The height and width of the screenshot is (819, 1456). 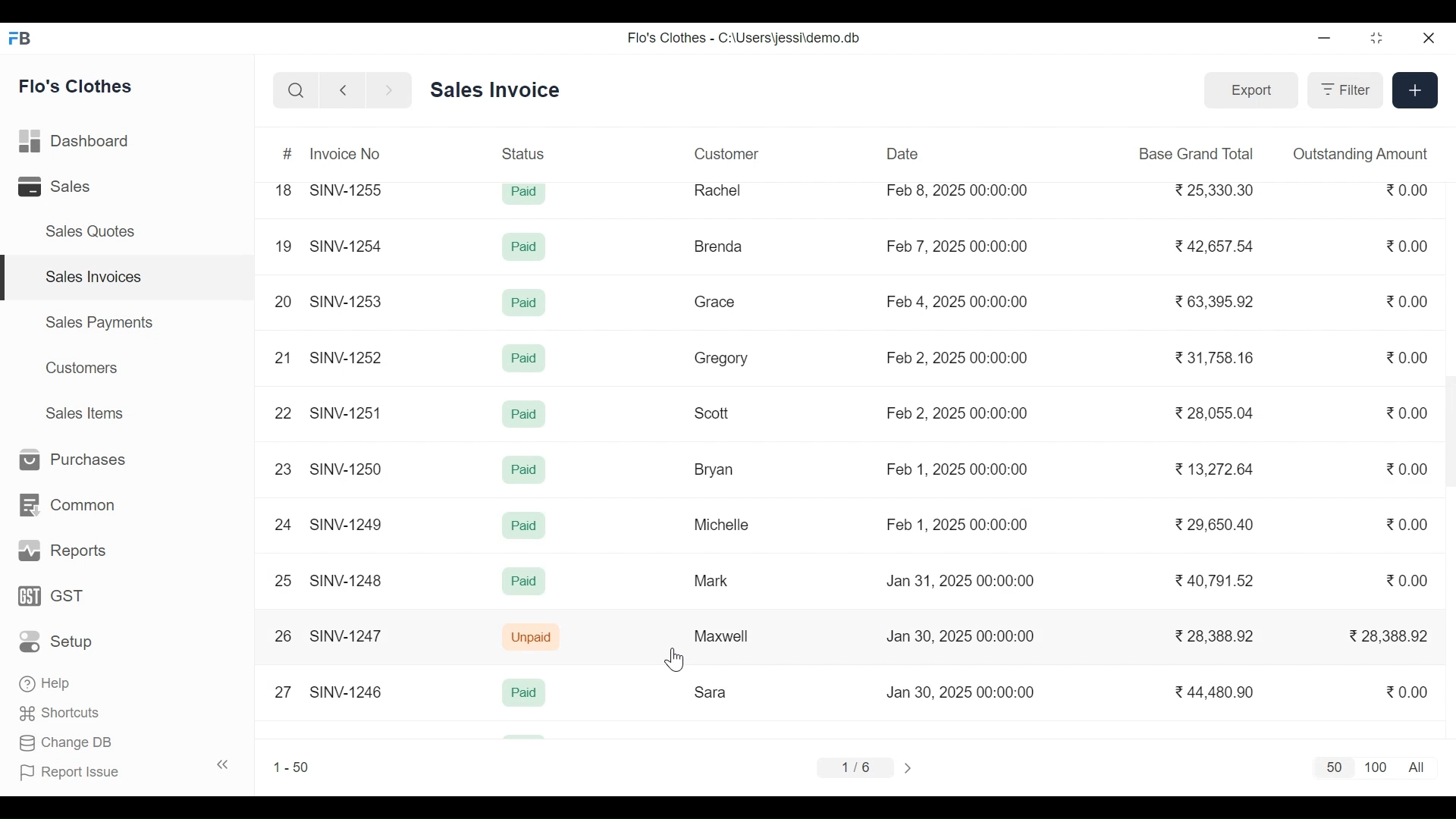 What do you see at coordinates (61, 641) in the screenshot?
I see `Setup` at bounding box center [61, 641].